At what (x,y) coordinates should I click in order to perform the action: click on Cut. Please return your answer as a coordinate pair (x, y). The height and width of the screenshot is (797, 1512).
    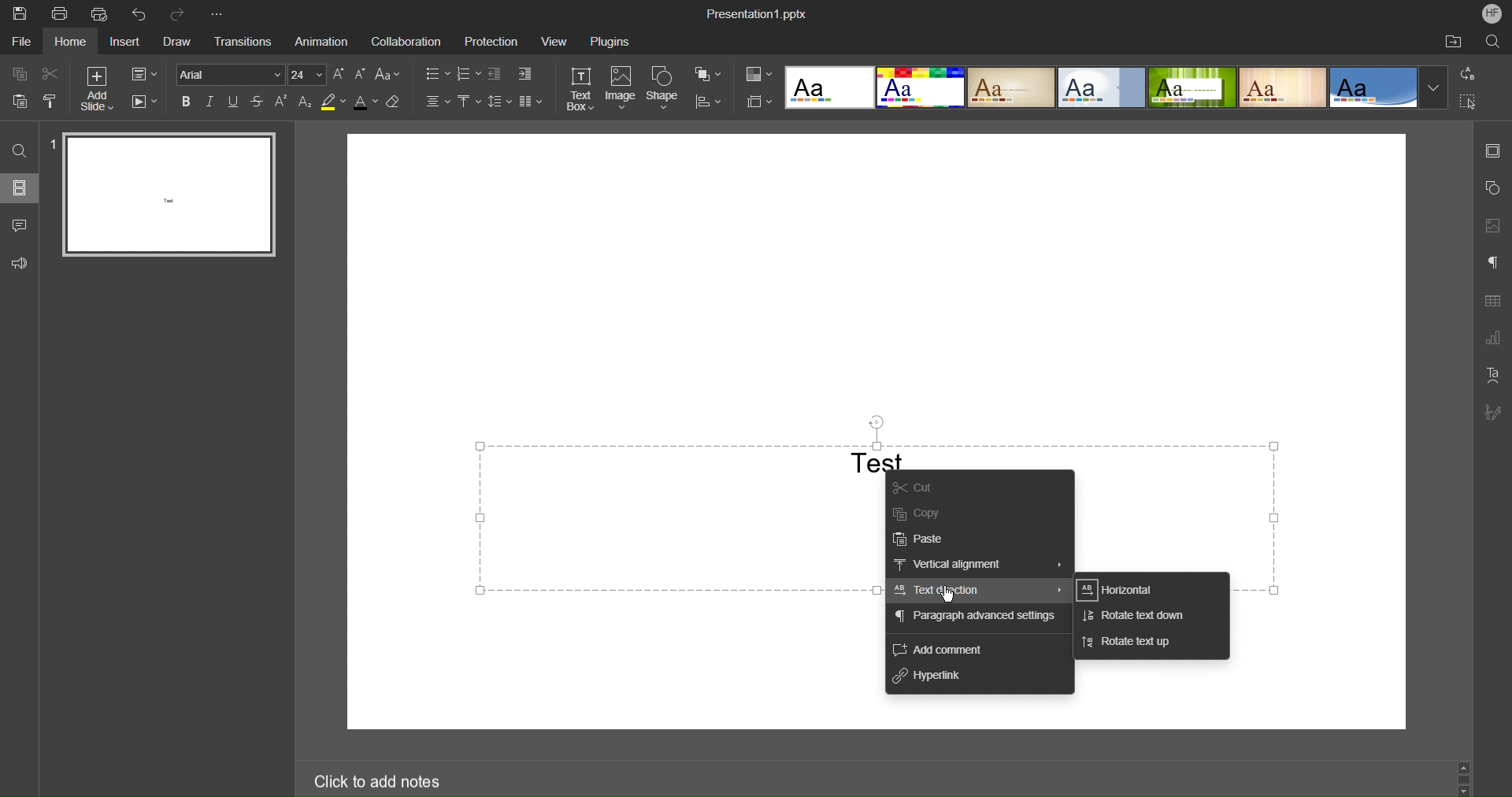
    Looking at the image, I should click on (52, 72).